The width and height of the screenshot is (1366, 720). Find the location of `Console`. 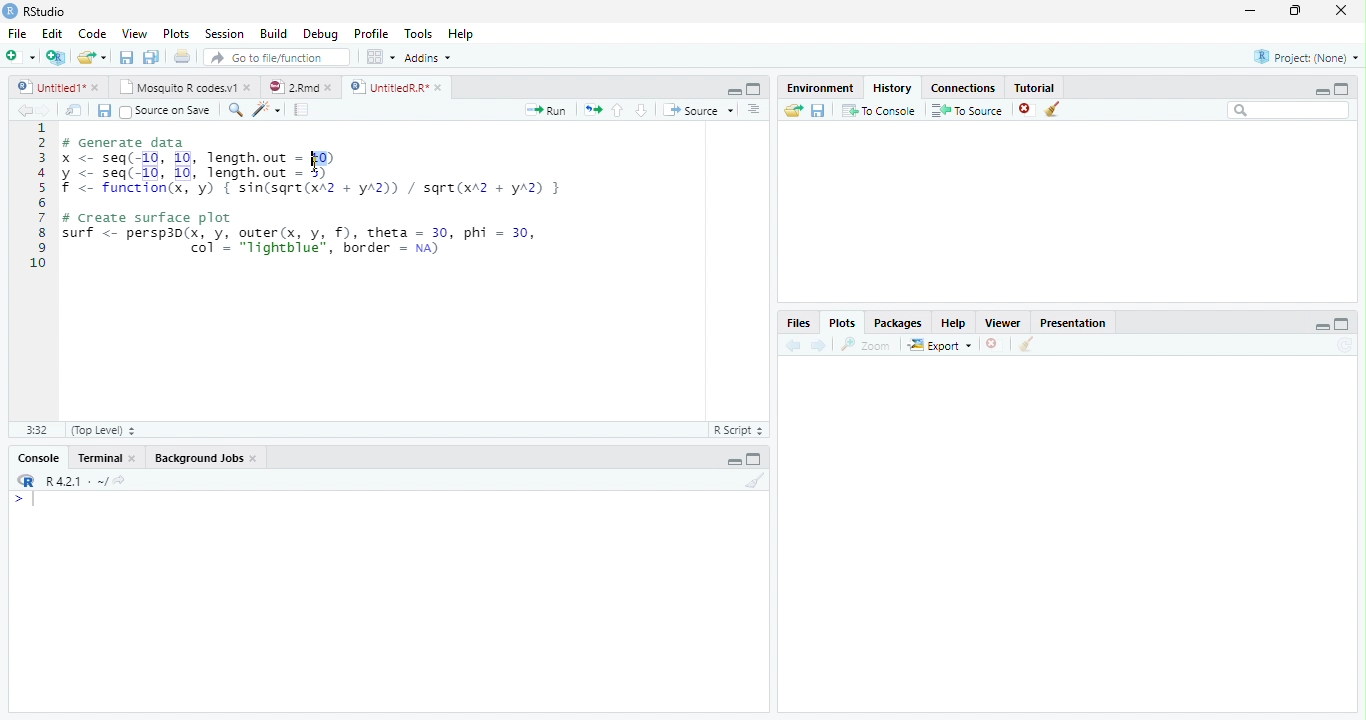

Console is located at coordinates (39, 458).